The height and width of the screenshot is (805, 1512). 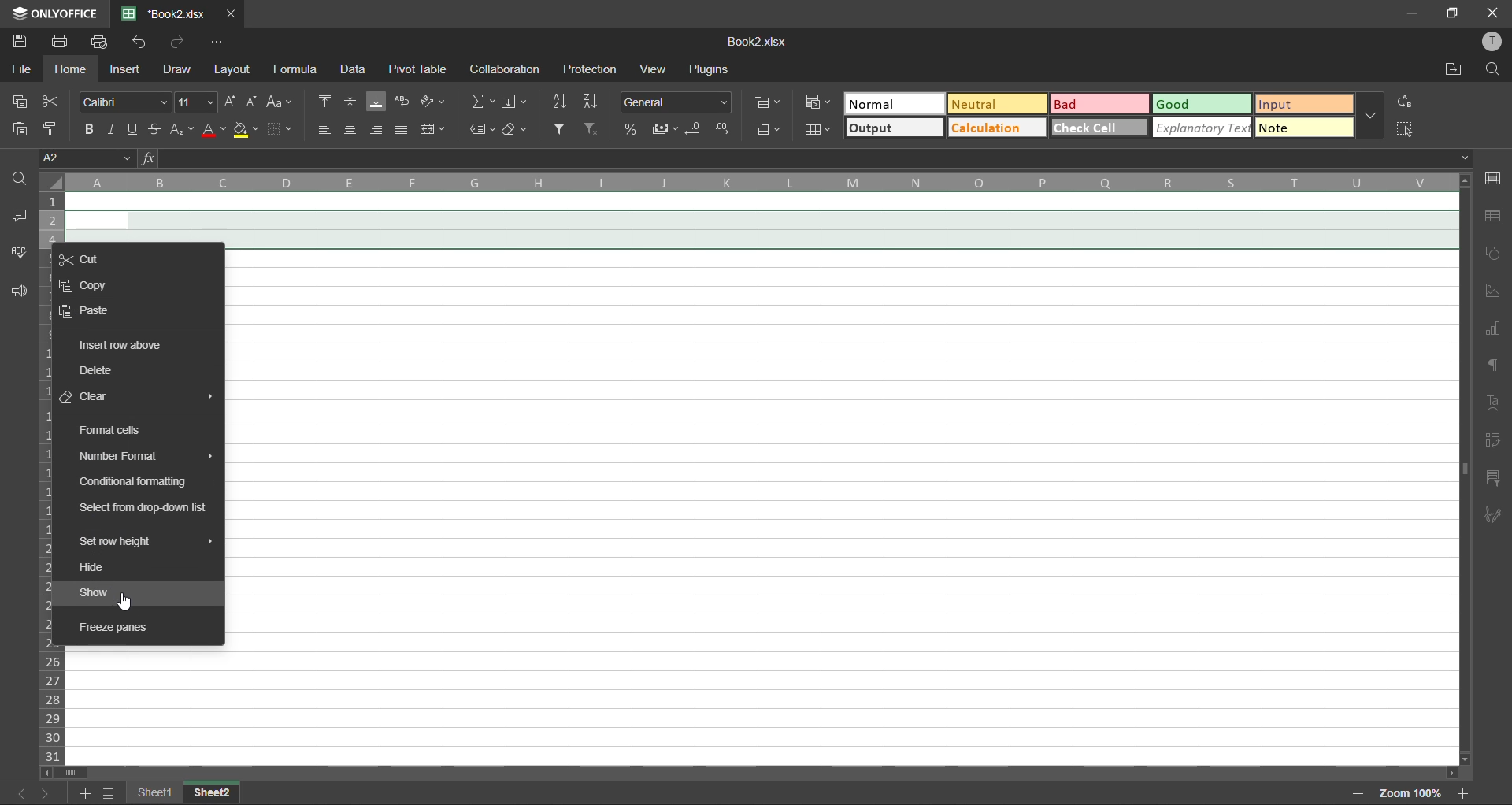 What do you see at coordinates (353, 69) in the screenshot?
I see `data` at bounding box center [353, 69].